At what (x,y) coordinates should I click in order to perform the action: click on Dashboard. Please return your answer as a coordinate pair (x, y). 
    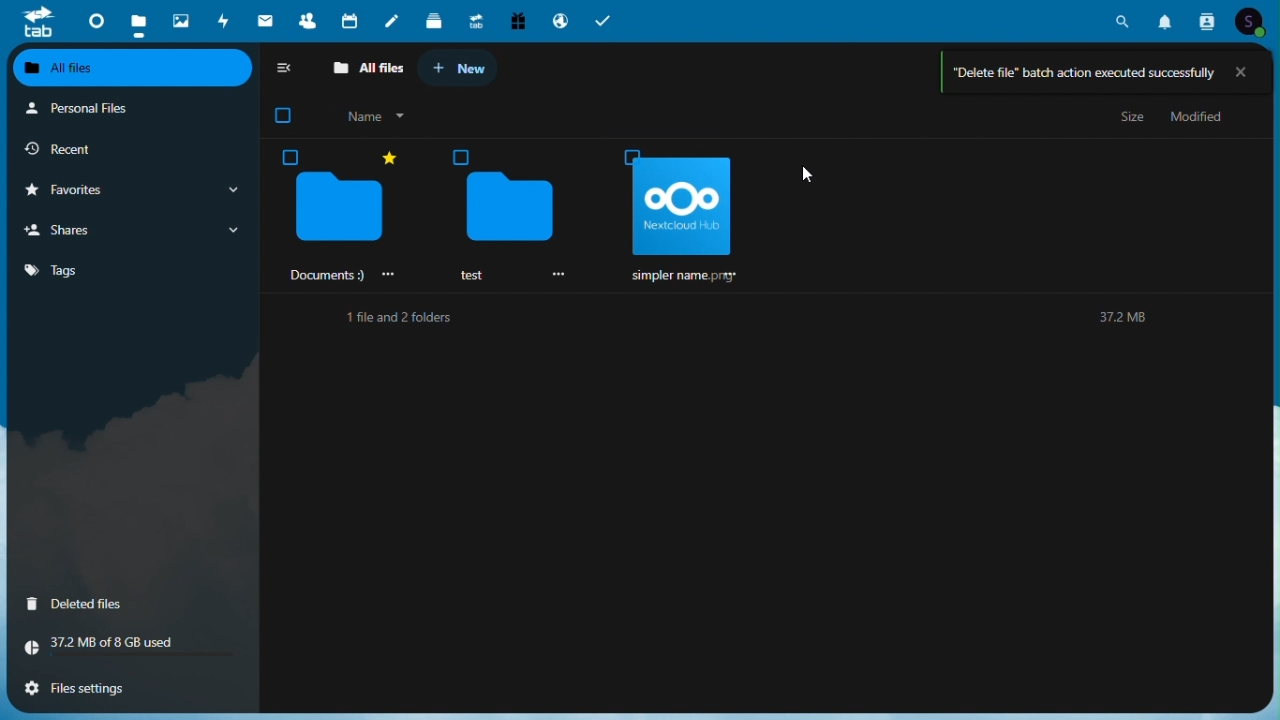
    Looking at the image, I should click on (94, 21).